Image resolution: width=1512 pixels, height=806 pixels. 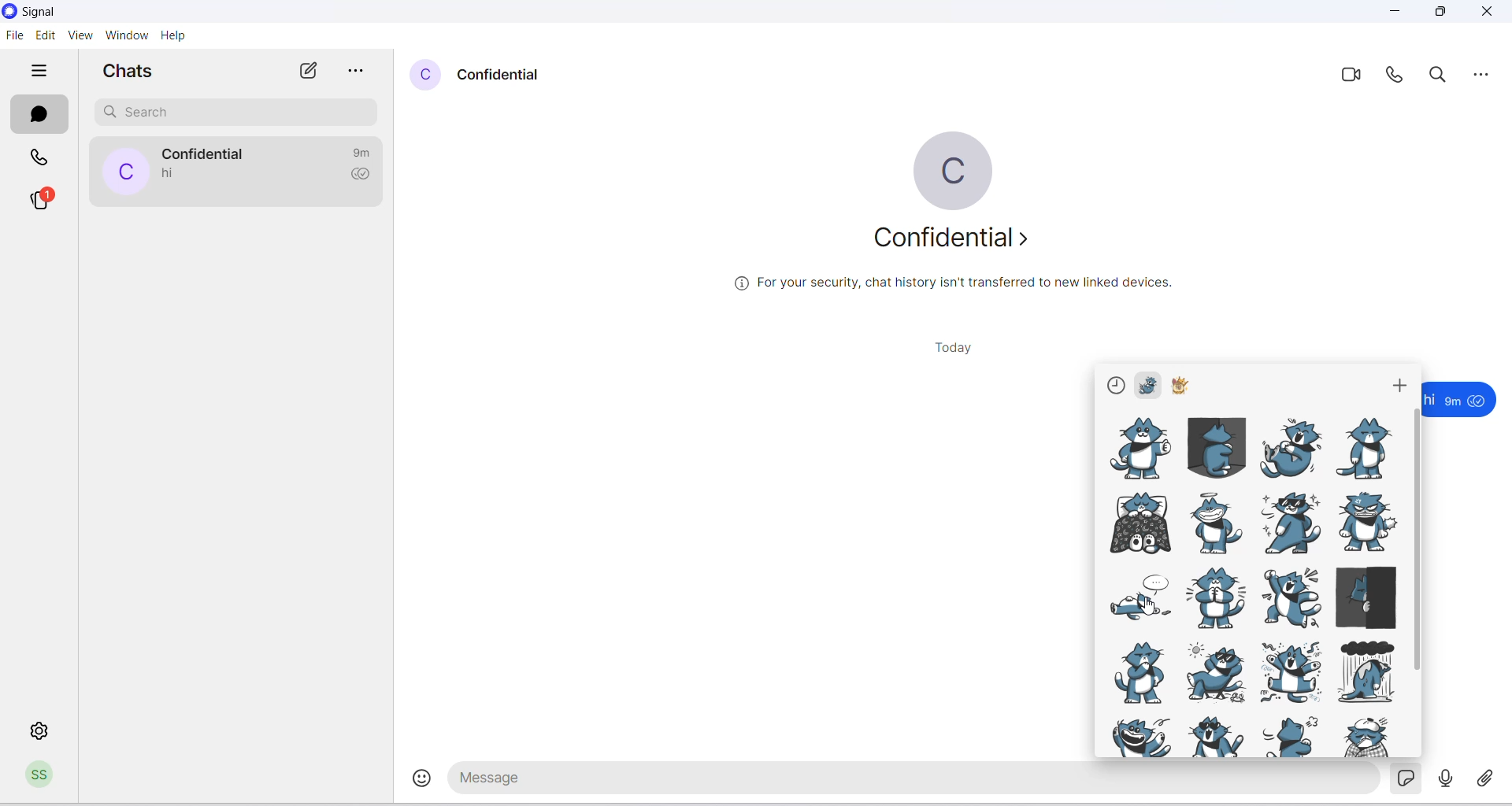 What do you see at coordinates (962, 288) in the screenshot?
I see `security related text` at bounding box center [962, 288].